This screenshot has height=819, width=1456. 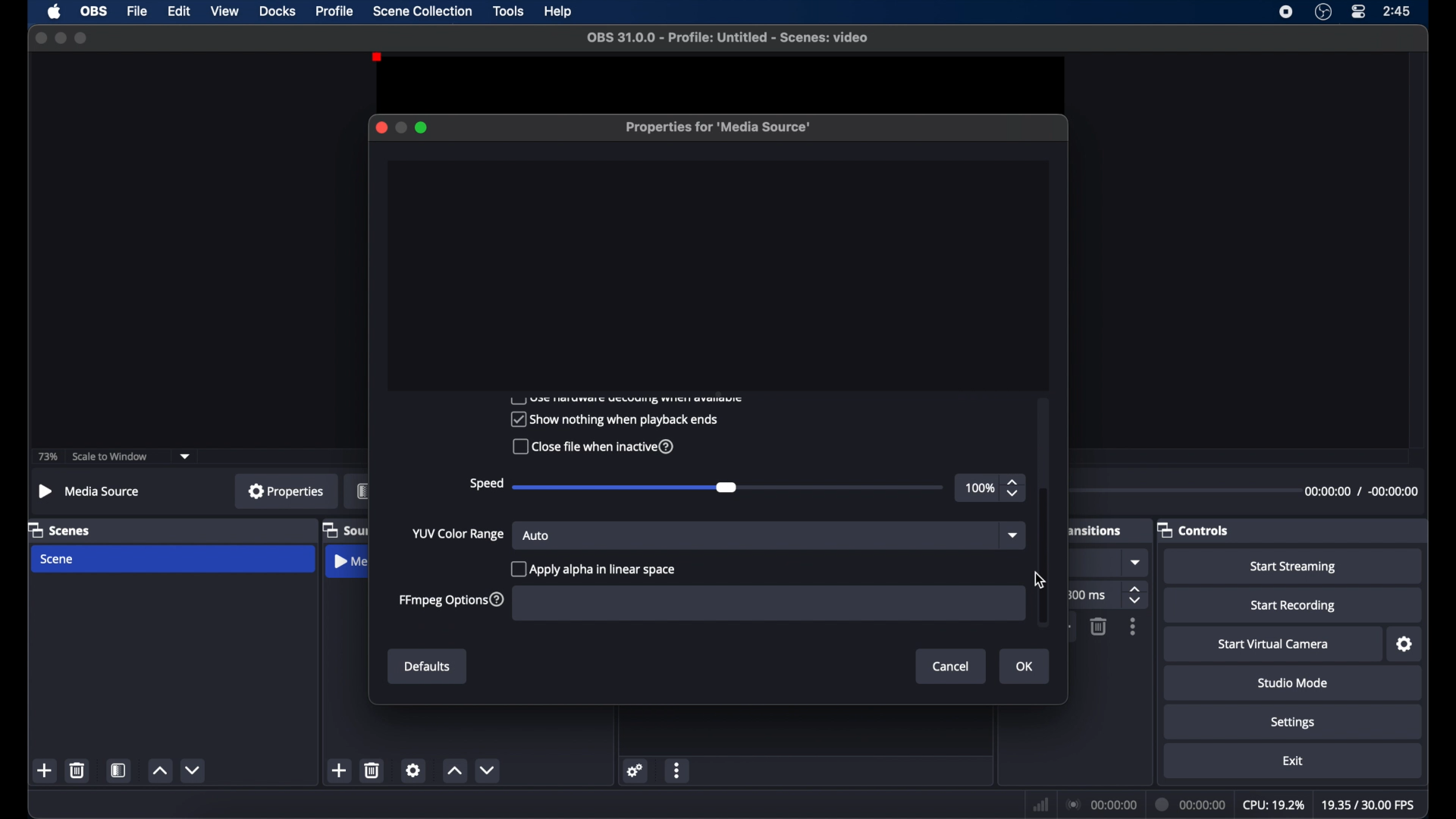 What do you see at coordinates (58, 559) in the screenshot?
I see `scene` at bounding box center [58, 559].